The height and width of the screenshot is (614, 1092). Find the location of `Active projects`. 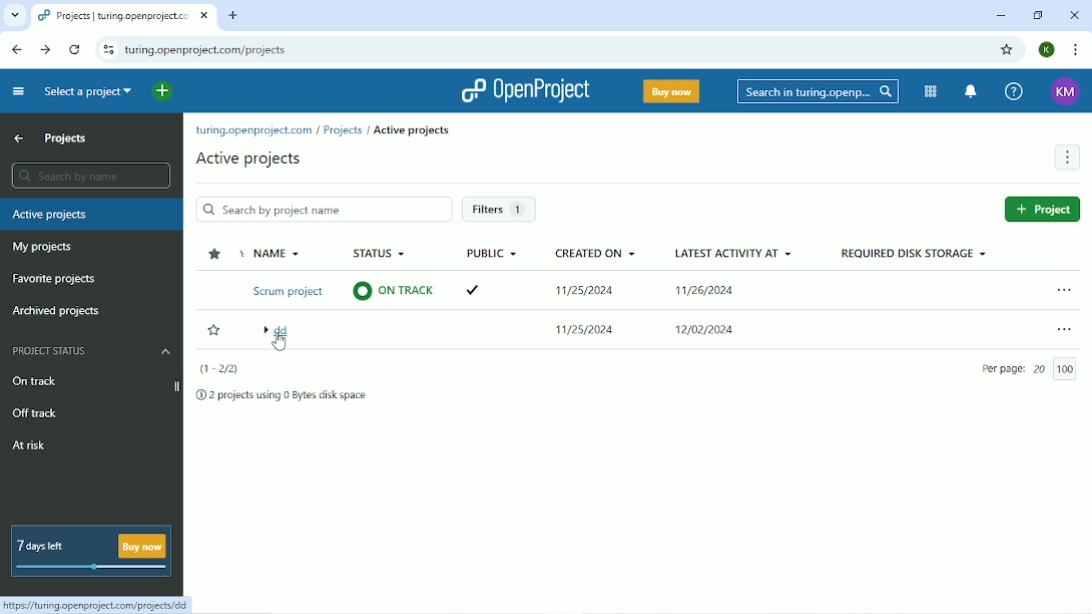

Active projects is located at coordinates (413, 129).